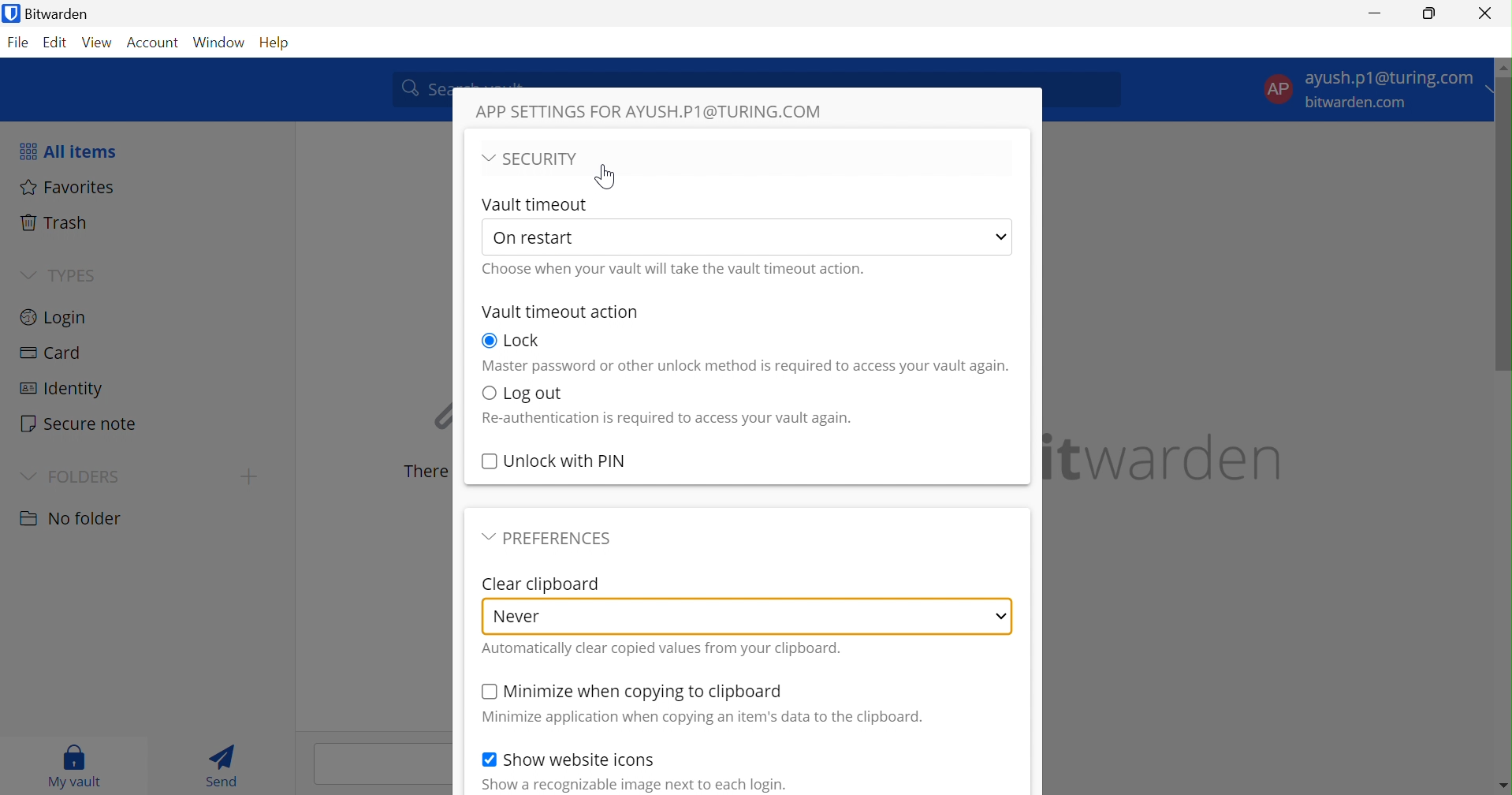 This screenshot has width=1512, height=795. What do you see at coordinates (487, 536) in the screenshot?
I see `Drop Down` at bounding box center [487, 536].